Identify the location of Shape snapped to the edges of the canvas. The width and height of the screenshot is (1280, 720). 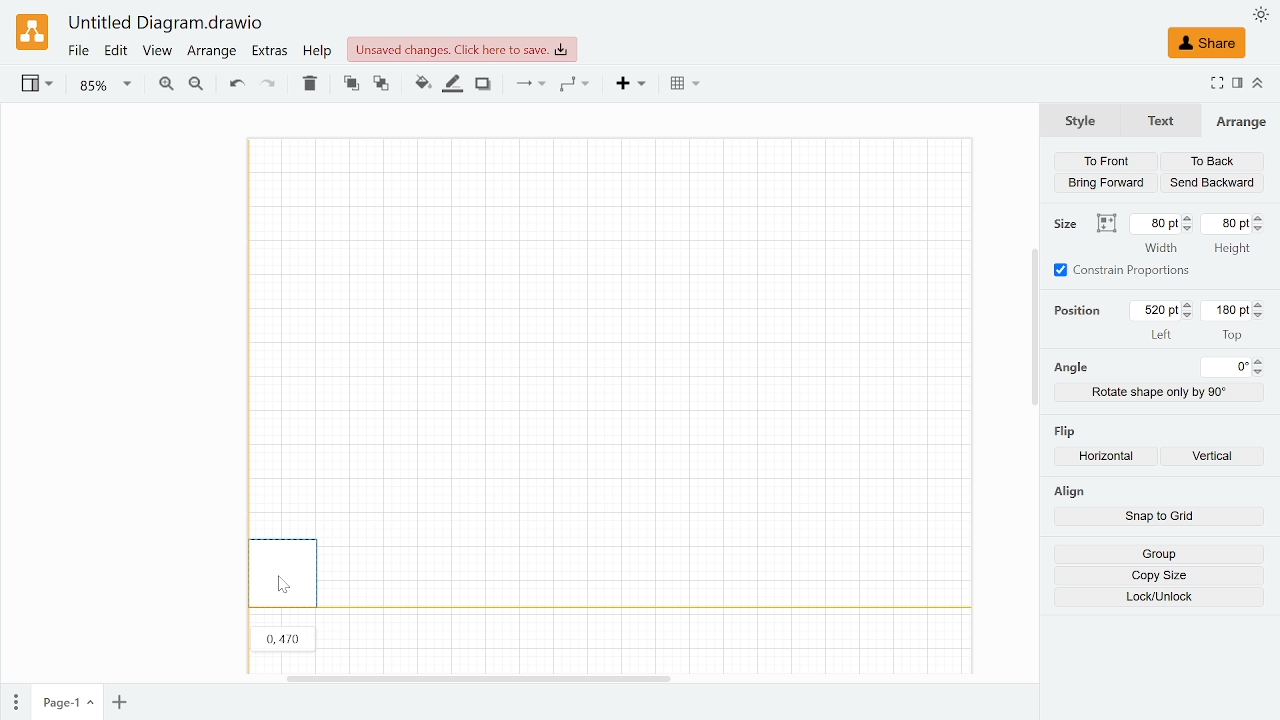
(283, 571).